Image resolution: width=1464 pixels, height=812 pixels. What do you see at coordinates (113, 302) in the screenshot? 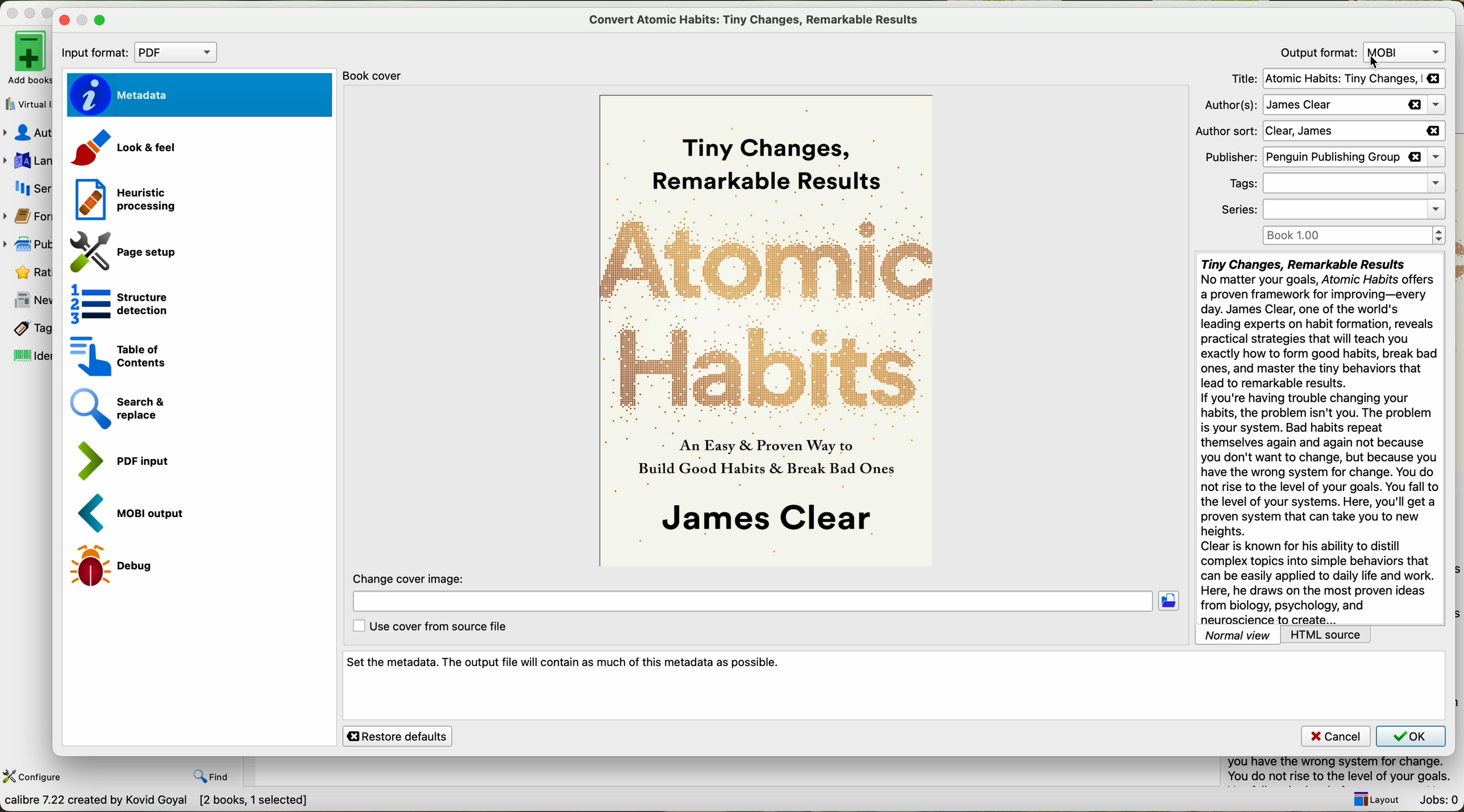
I see `structure detection` at bounding box center [113, 302].